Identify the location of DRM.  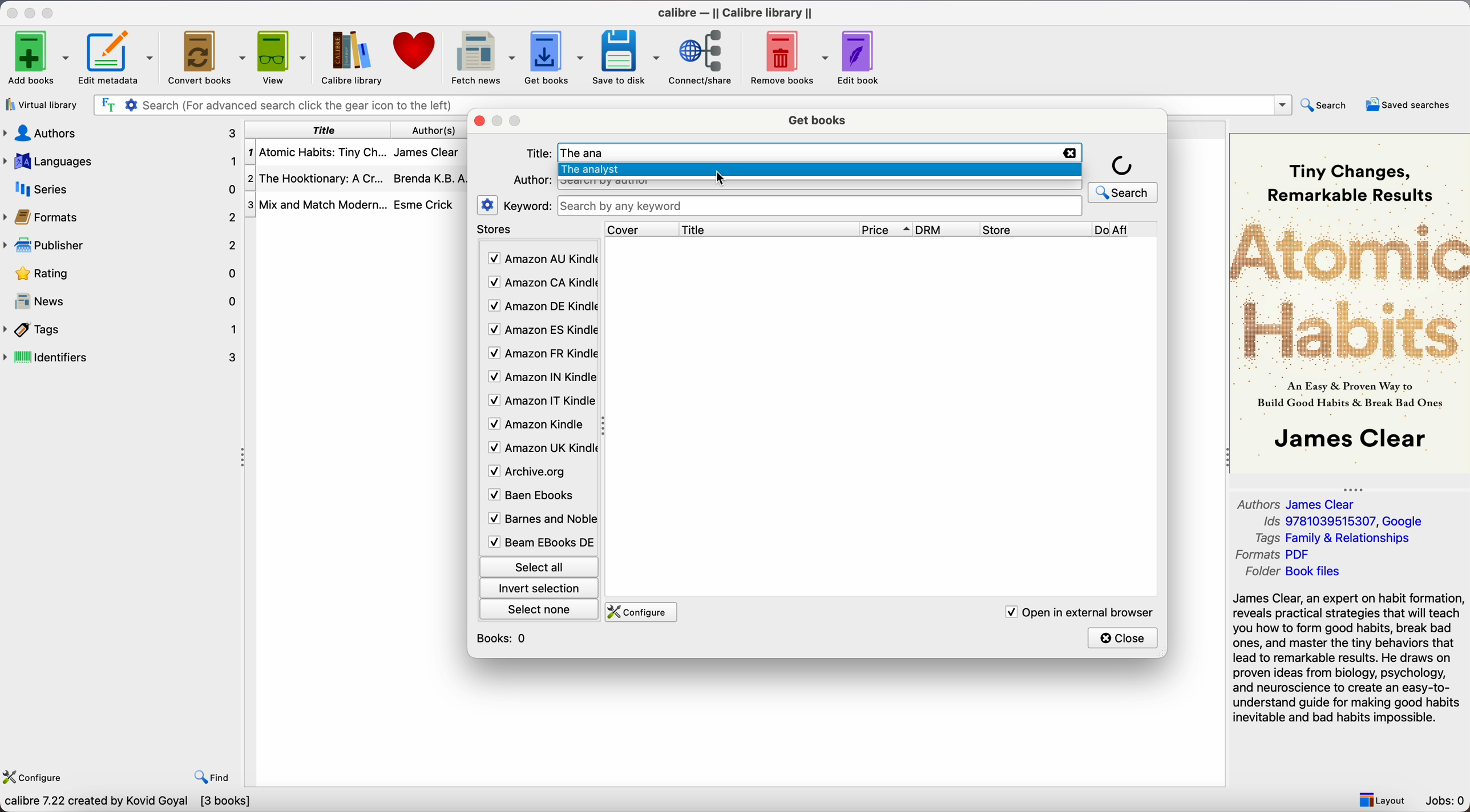
(947, 229).